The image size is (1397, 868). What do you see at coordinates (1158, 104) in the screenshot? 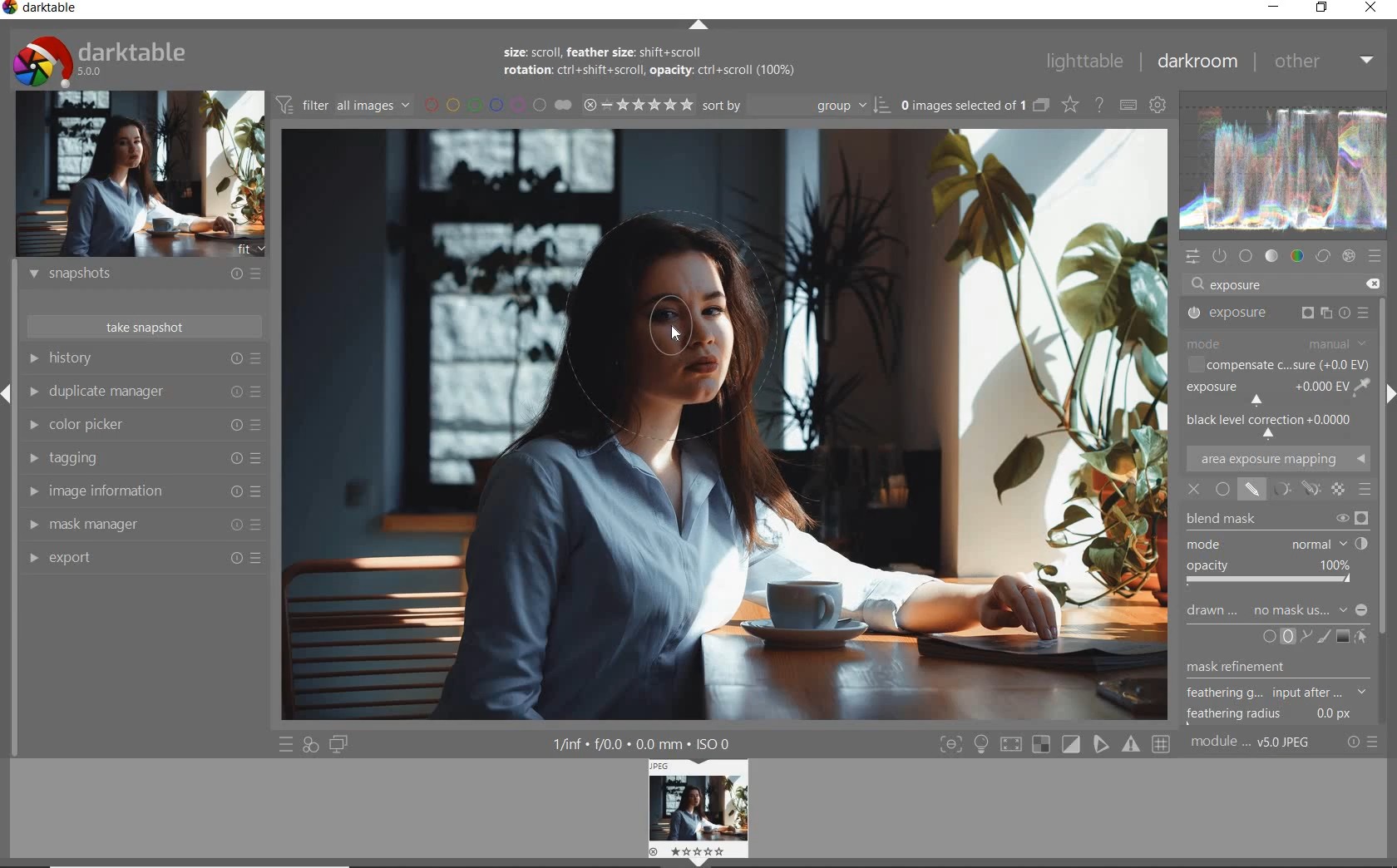
I see `show global preferences` at bounding box center [1158, 104].